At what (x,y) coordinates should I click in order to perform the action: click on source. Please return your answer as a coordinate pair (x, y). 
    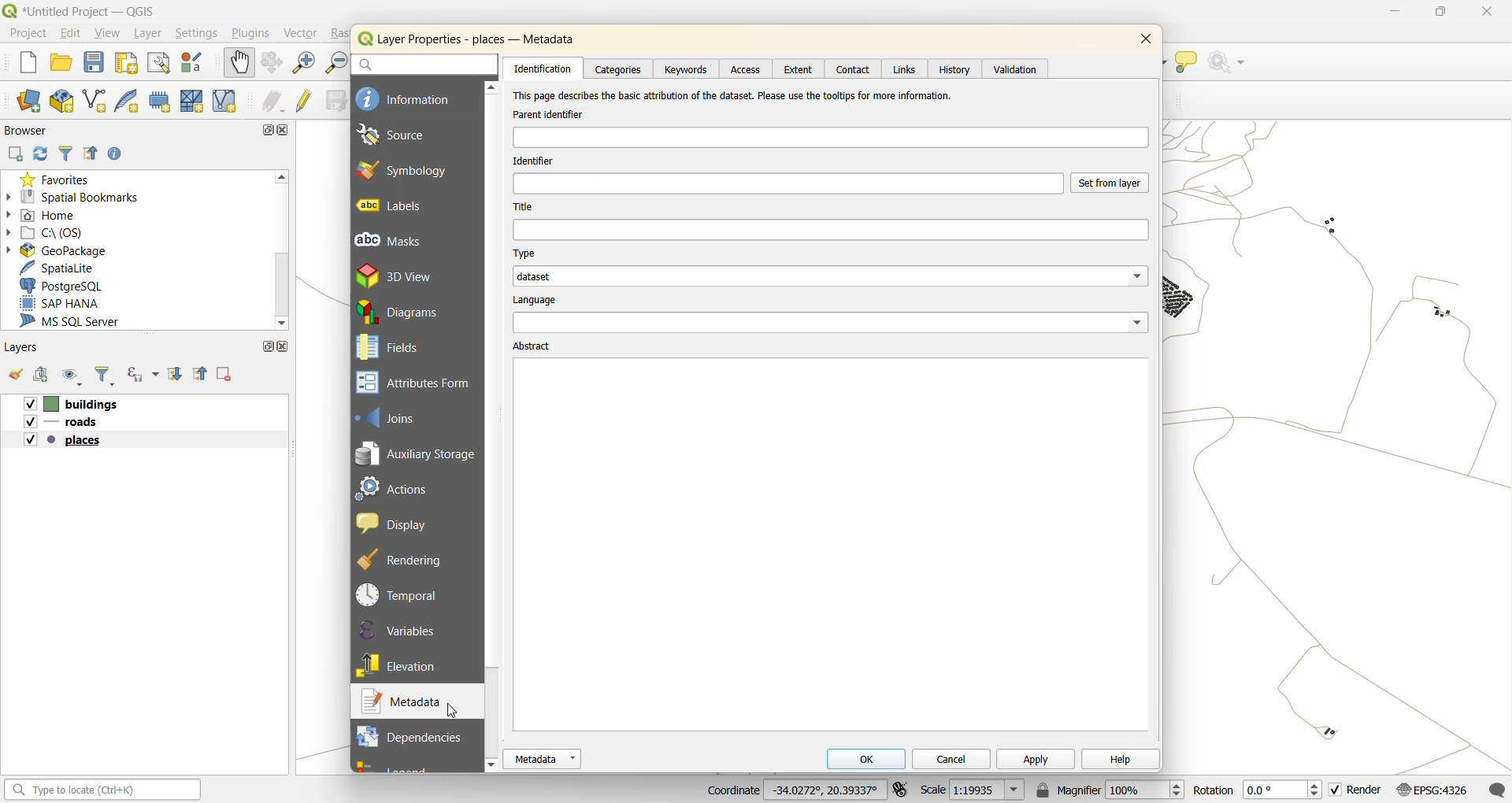
    Looking at the image, I should click on (406, 135).